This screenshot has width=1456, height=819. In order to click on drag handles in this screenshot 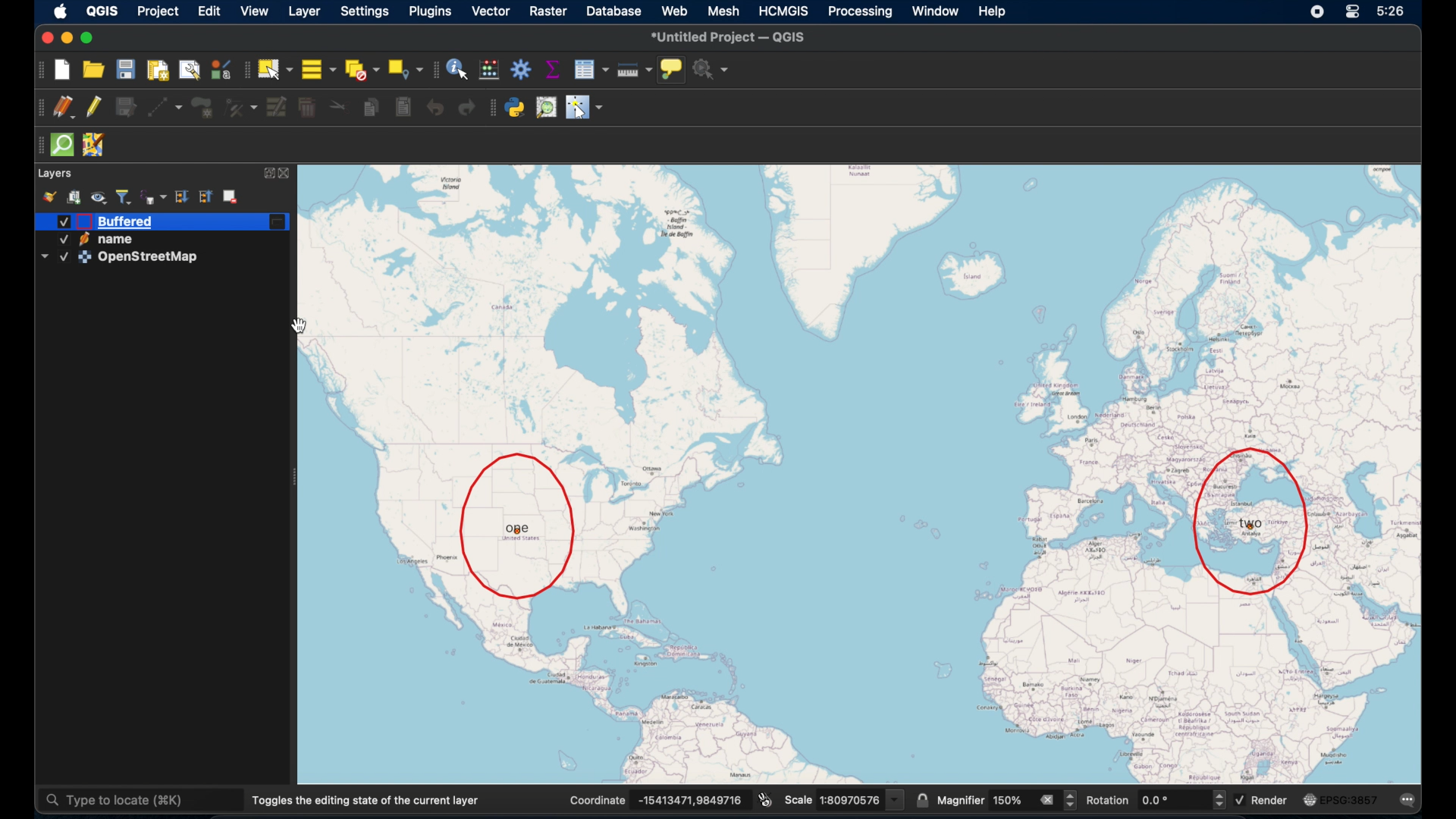, I will do `click(245, 71)`.